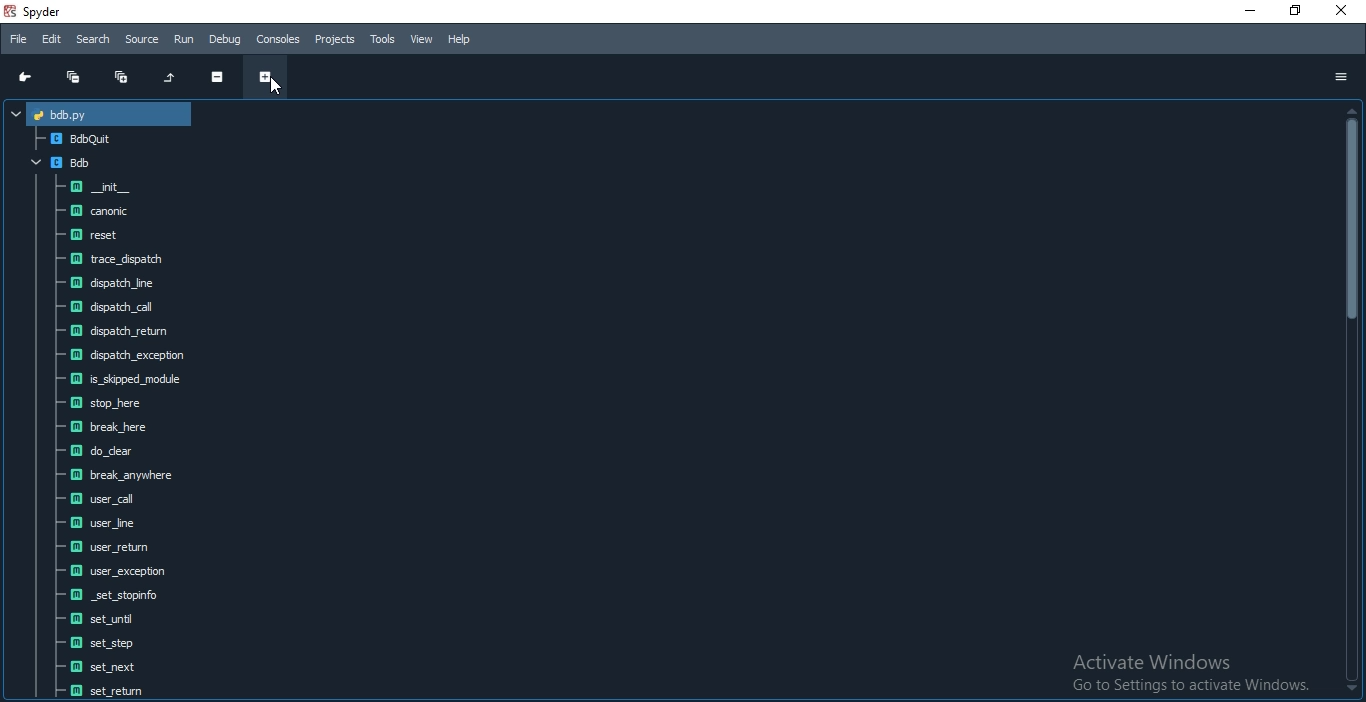  I want to click on Consoles, so click(278, 38).